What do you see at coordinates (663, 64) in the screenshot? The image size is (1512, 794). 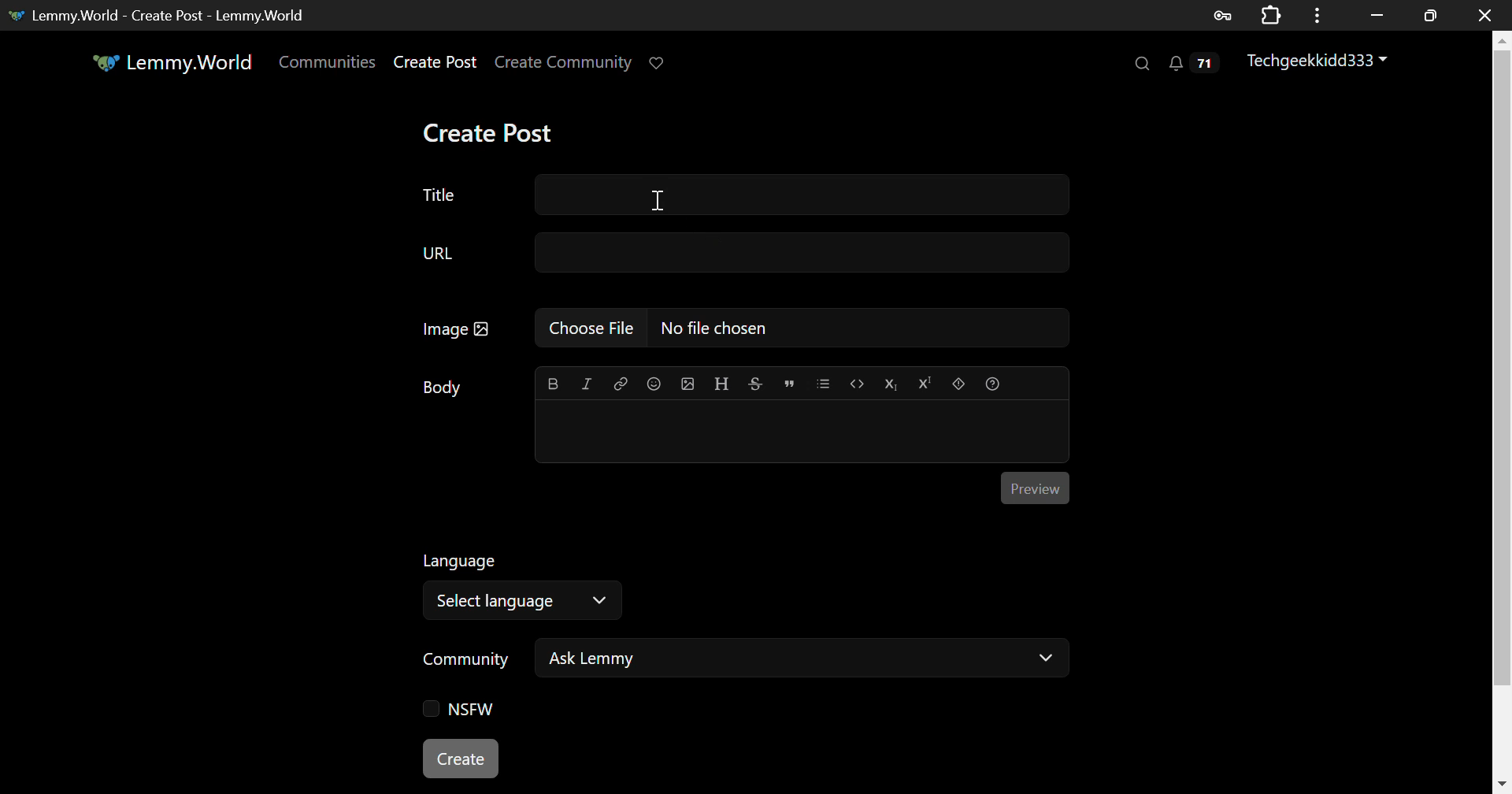 I see `Donate` at bounding box center [663, 64].